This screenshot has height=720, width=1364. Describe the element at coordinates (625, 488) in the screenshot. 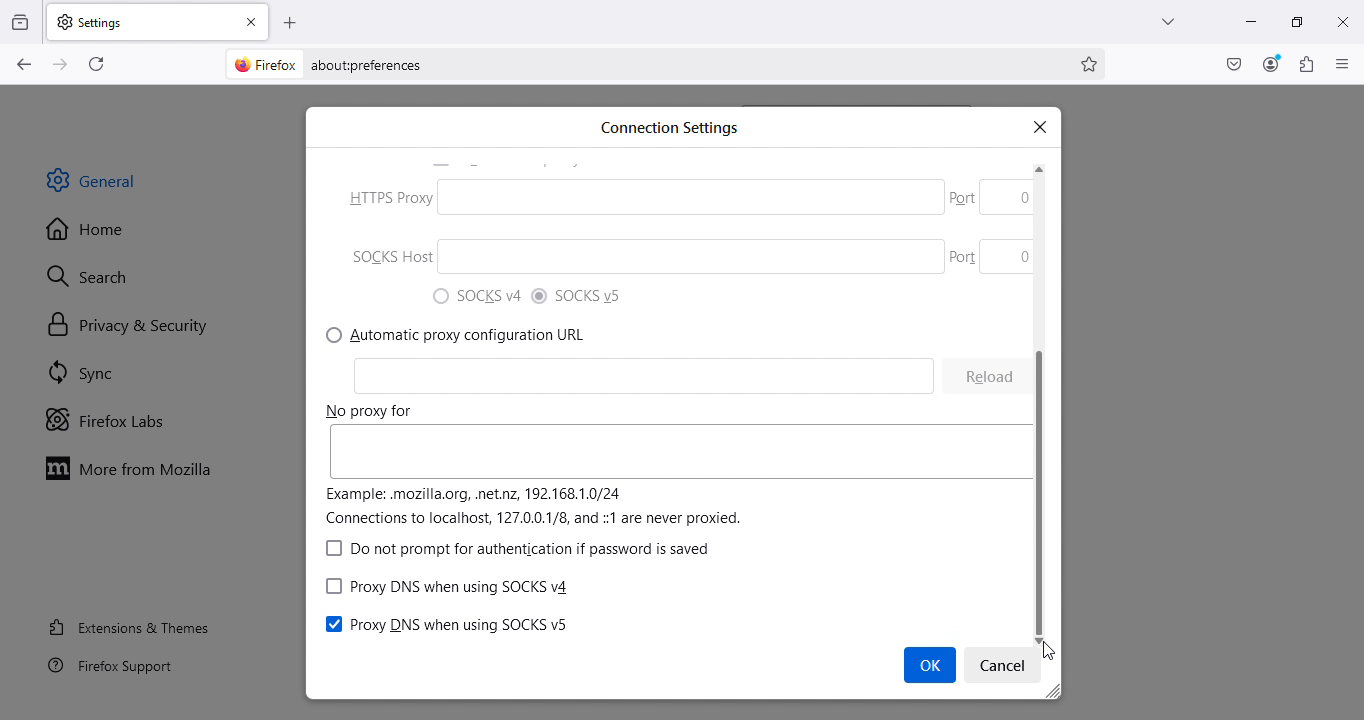

I see `SOCKS Host` at that location.